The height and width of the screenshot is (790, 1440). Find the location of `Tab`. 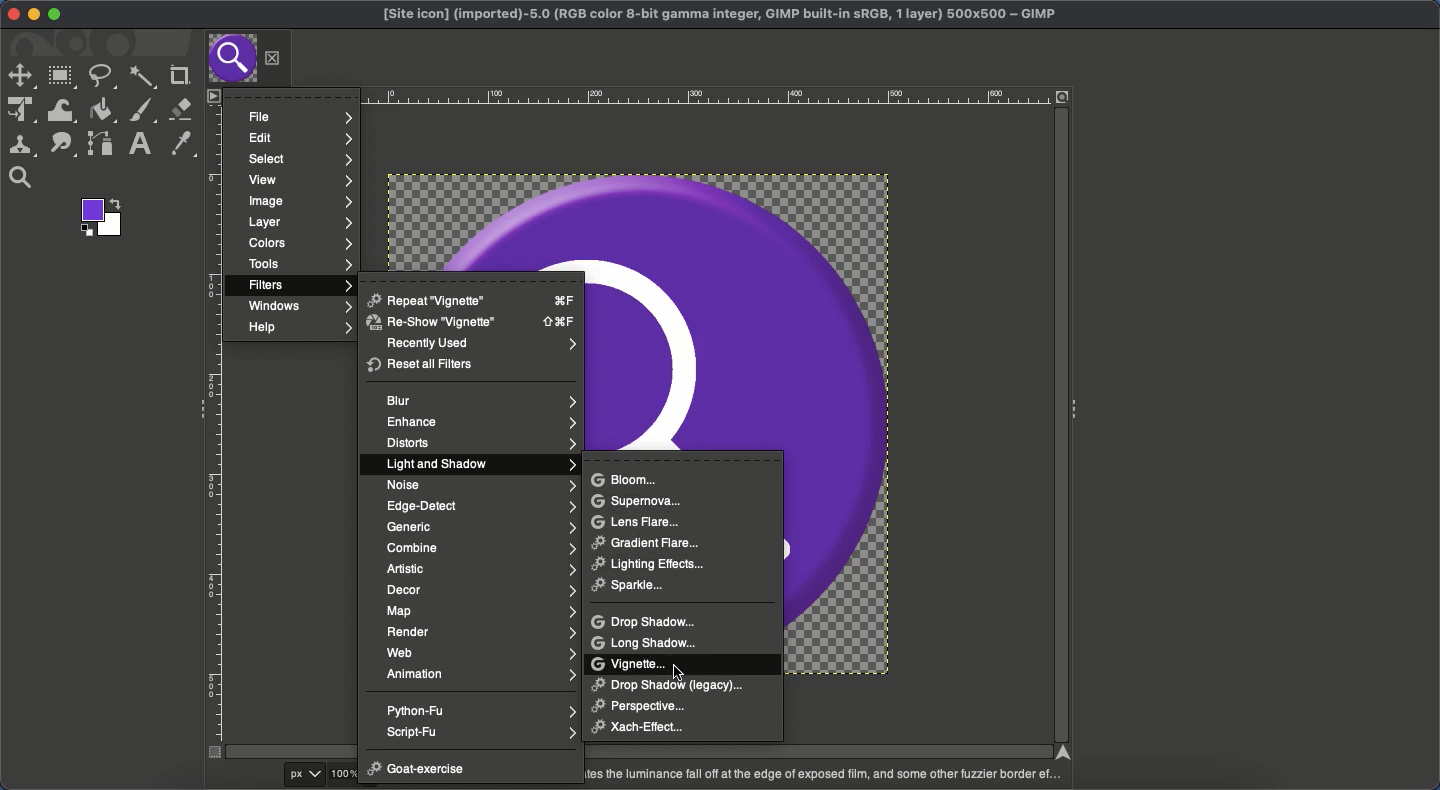

Tab is located at coordinates (231, 59).